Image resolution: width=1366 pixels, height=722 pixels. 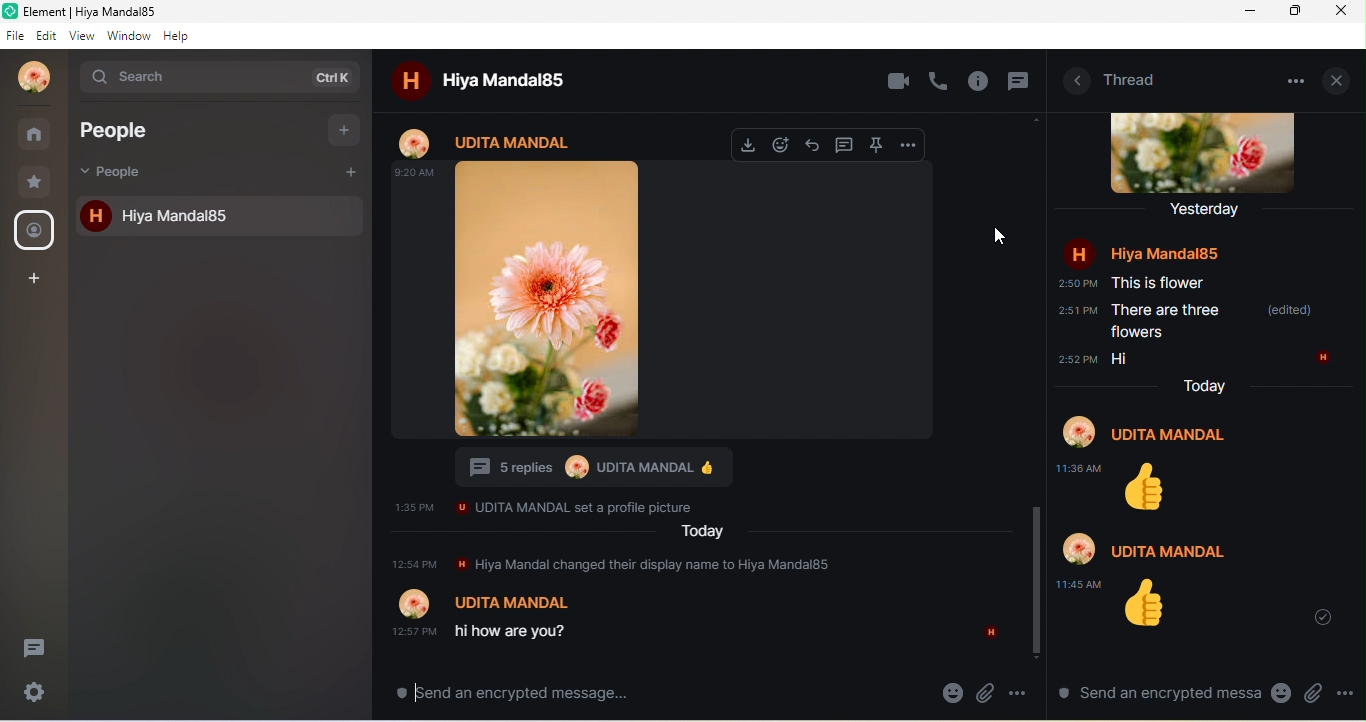 What do you see at coordinates (577, 467) in the screenshot?
I see `Profile picture` at bounding box center [577, 467].